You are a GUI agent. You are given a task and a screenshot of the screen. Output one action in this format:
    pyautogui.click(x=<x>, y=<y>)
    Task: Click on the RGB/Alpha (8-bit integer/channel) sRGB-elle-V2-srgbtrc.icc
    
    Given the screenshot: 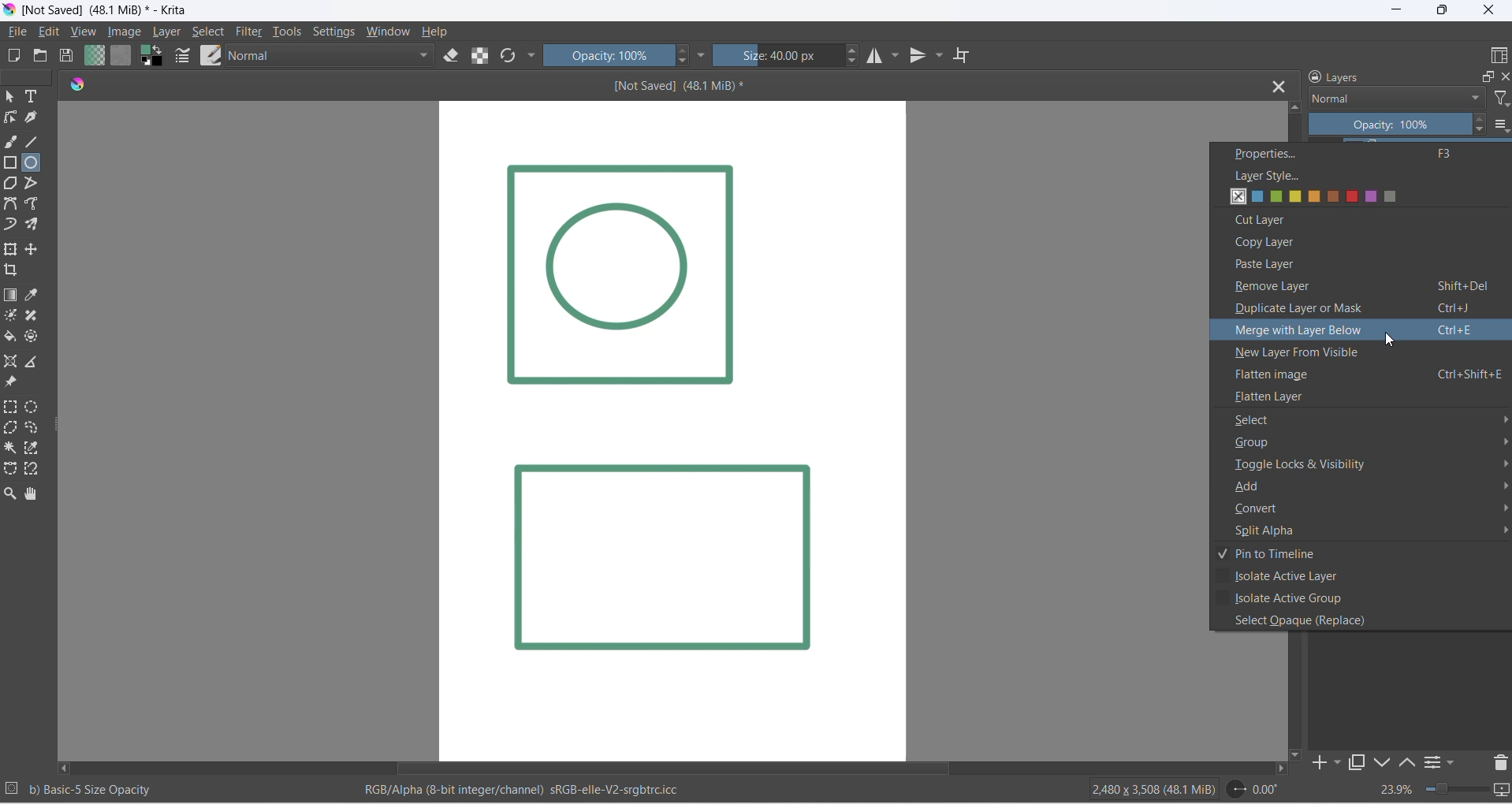 What is the action you would take?
    pyautogui.click(x=539, y=793)
    